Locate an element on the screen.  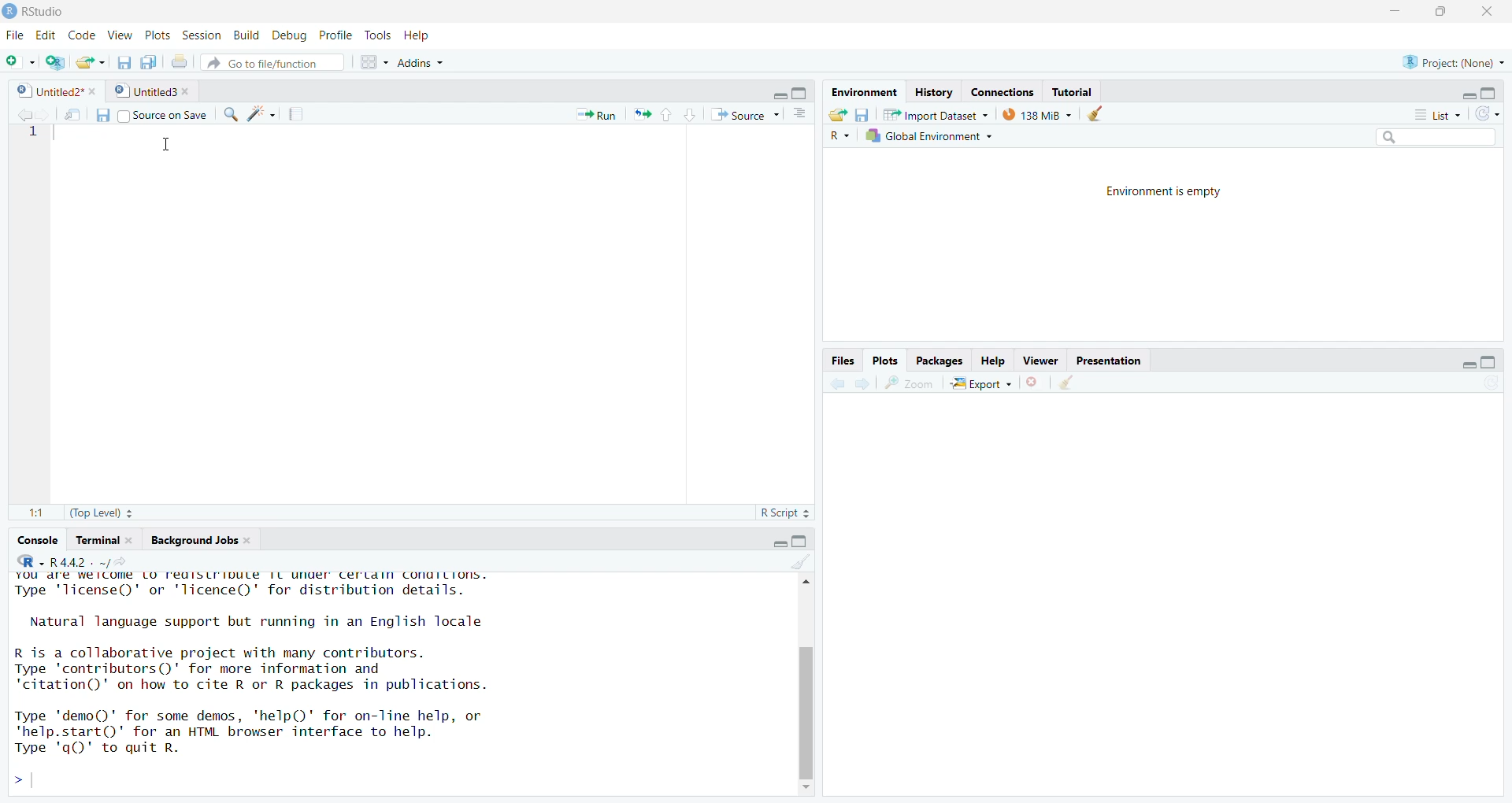
Presentation is located at coordinates (1110, 361).